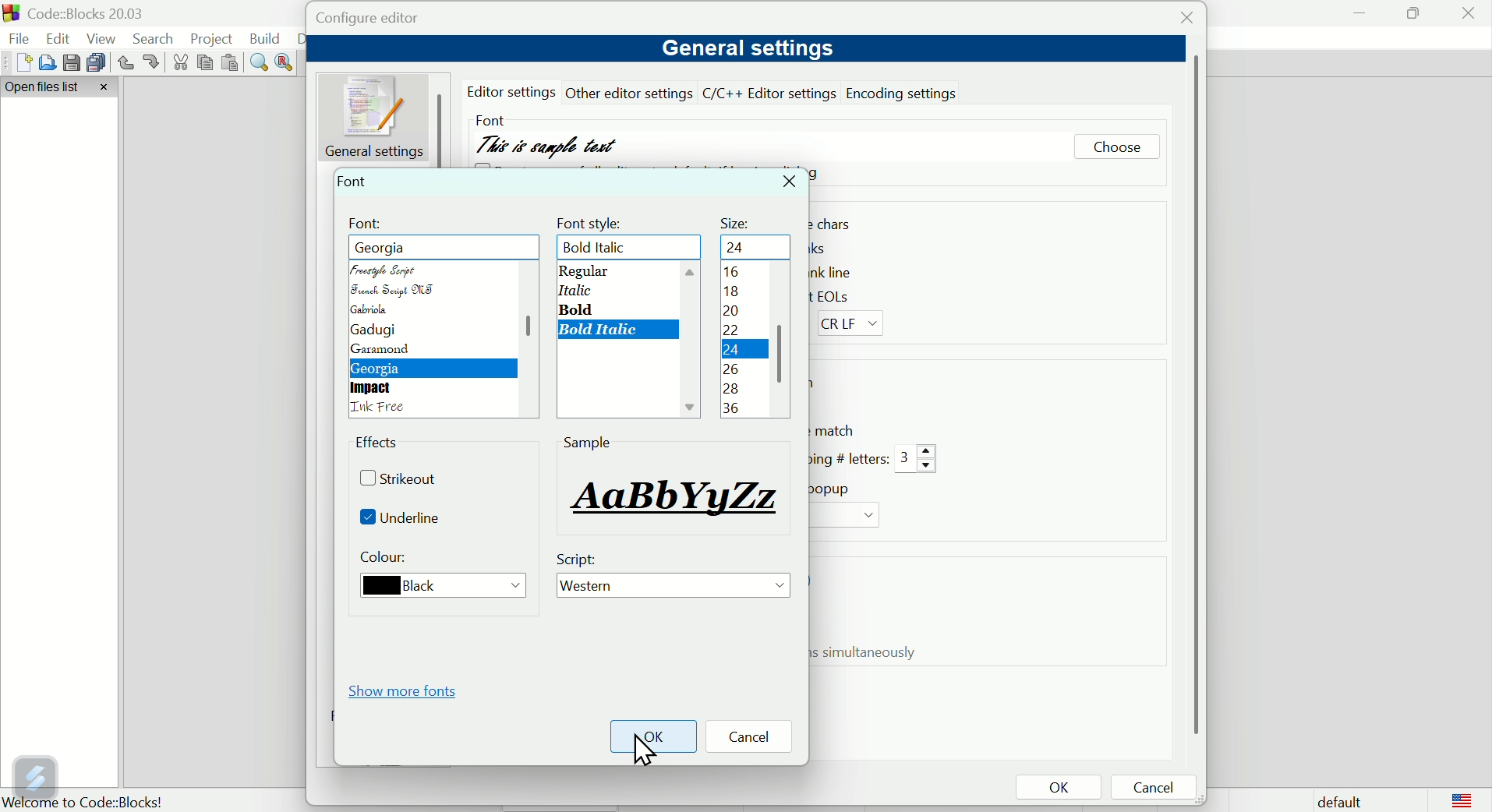 Image resolution: width=1492 pixels, height=812 pixels. What do you see at coordinates (550, 146) in the screenshot?
I see `This is sample text` at bounding box center [550, 146].